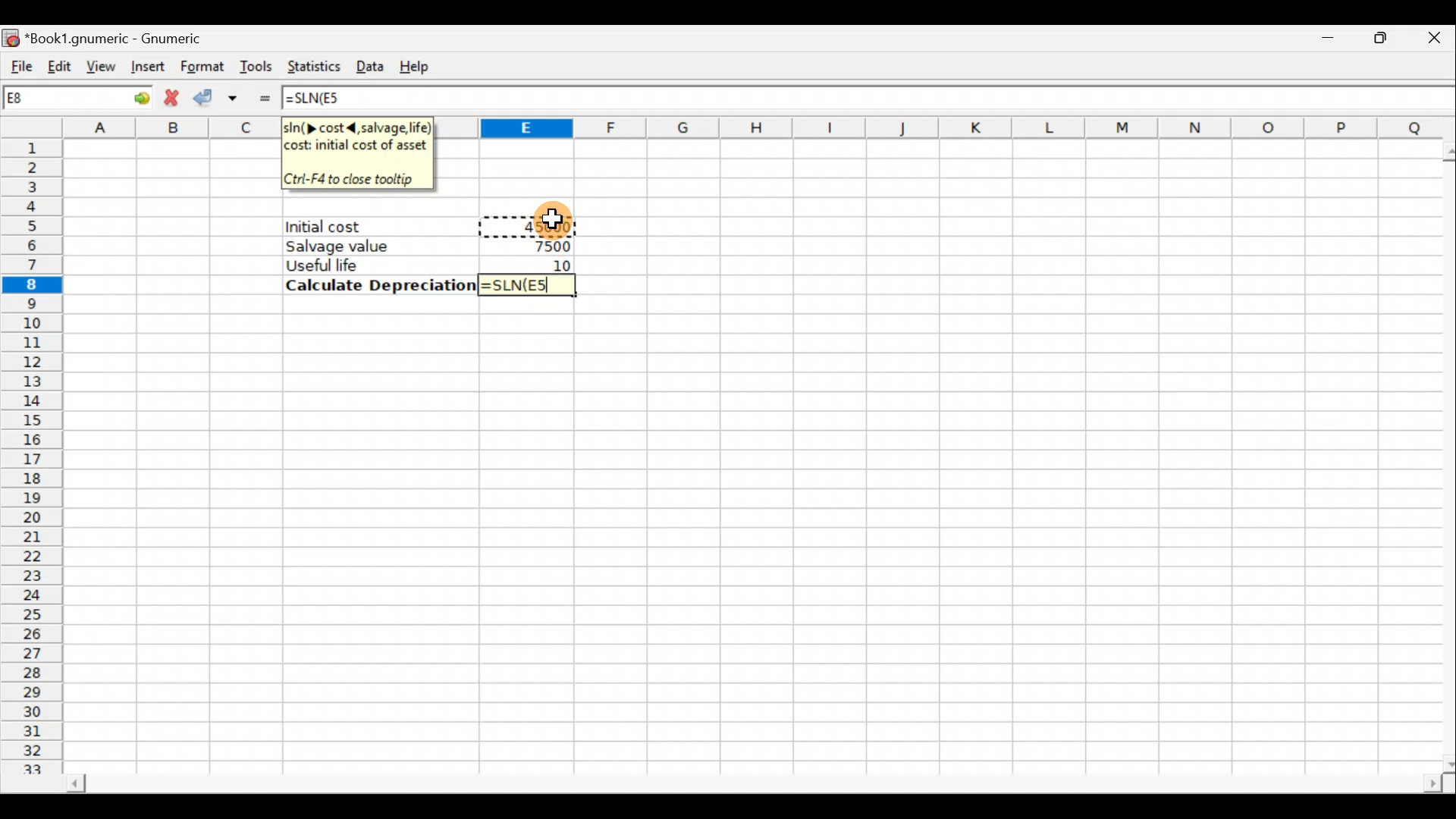  Describe the element at coordinates (264, 97) in the screenshot. I see `Enter formula` at that location.